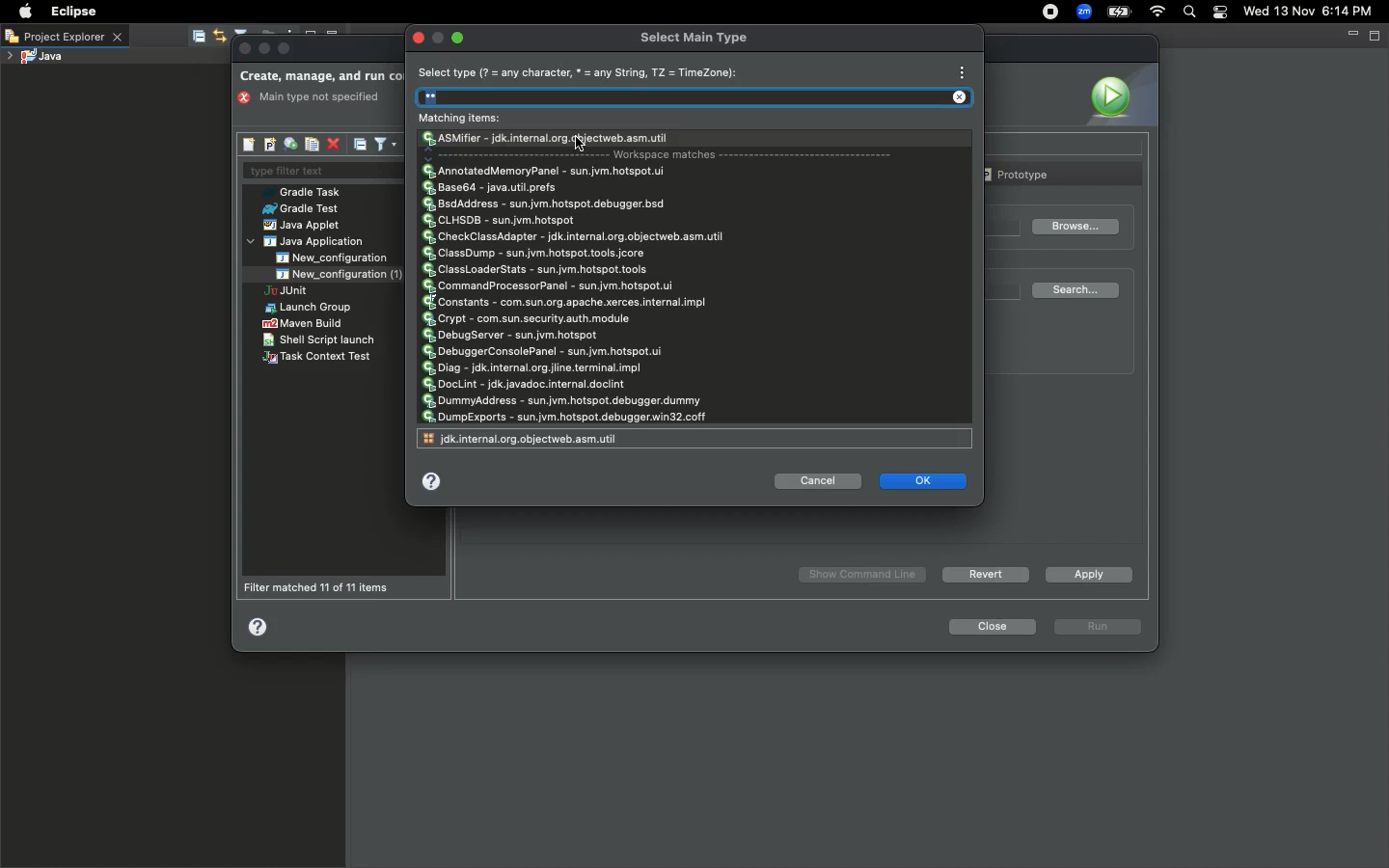 This screenshot has width=1389, height=868. Describe the element at coordinates (581, 73) in the screenshot. I see `Select type (? = any character, * = any String, TZ = TimeZone):` at that location.